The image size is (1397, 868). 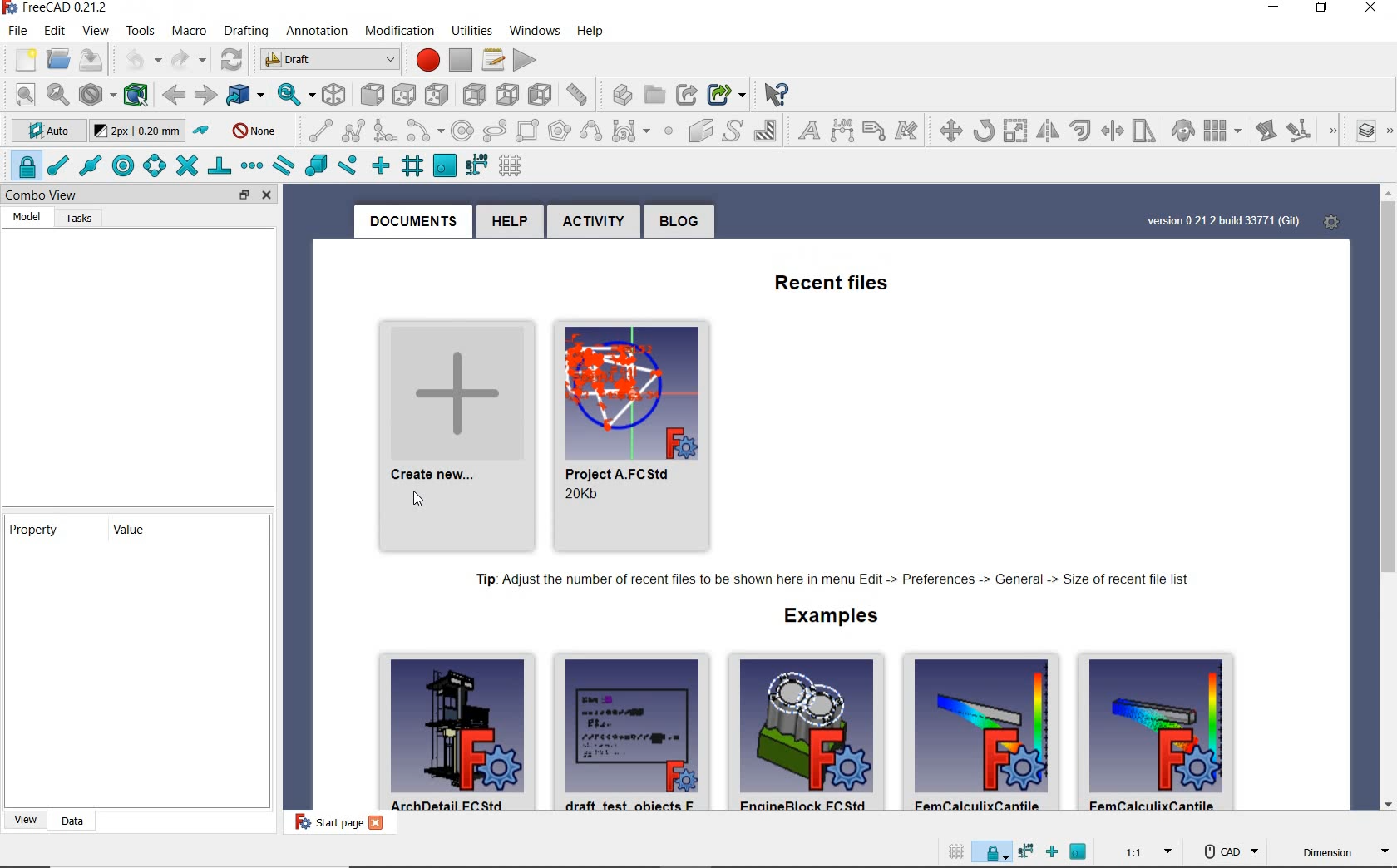 What do you see at coordinates (401, 30) in the screenshot?
I see `help` at bounding box center [401, 30].